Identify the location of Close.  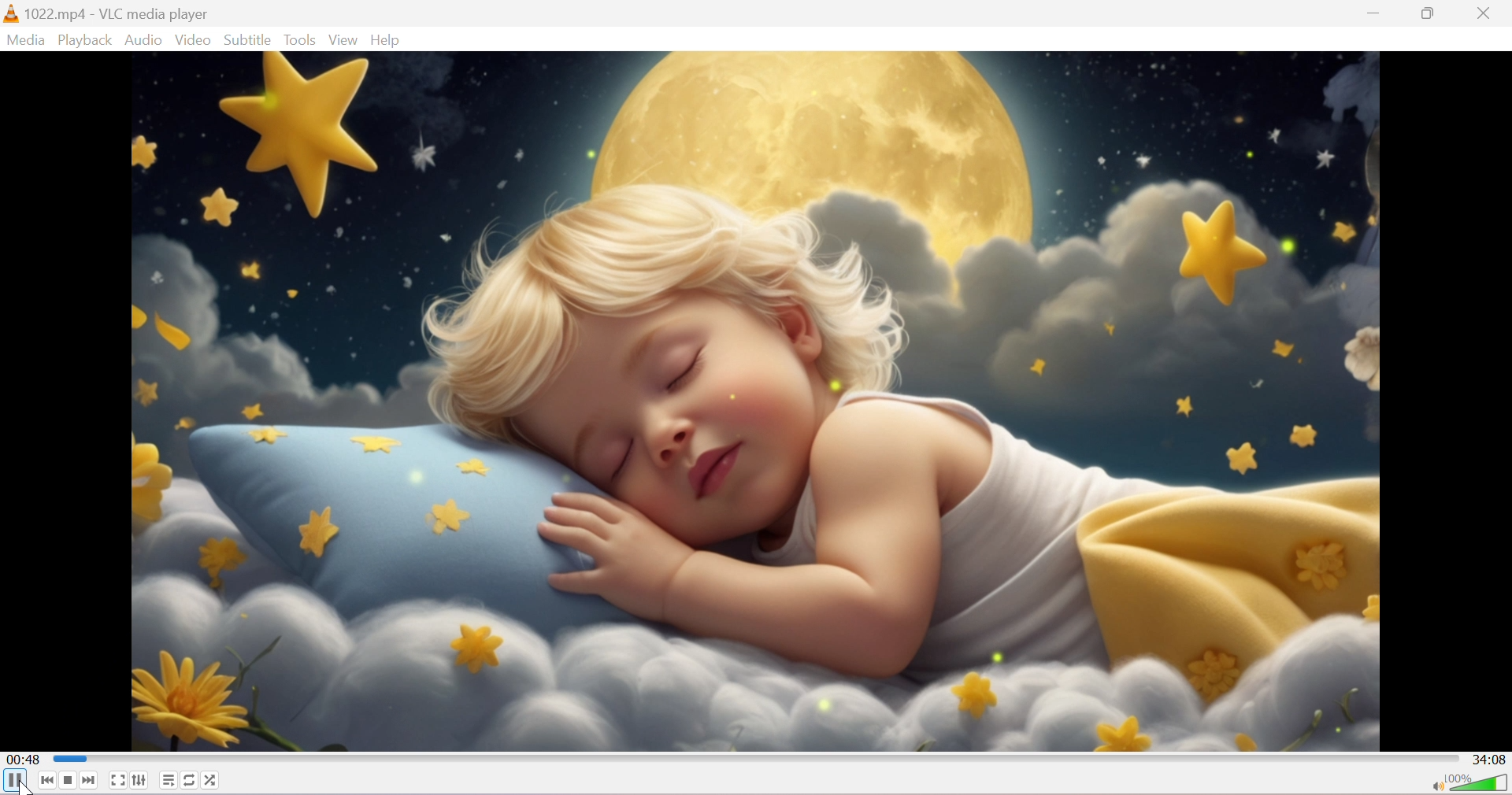
(1484, 12).